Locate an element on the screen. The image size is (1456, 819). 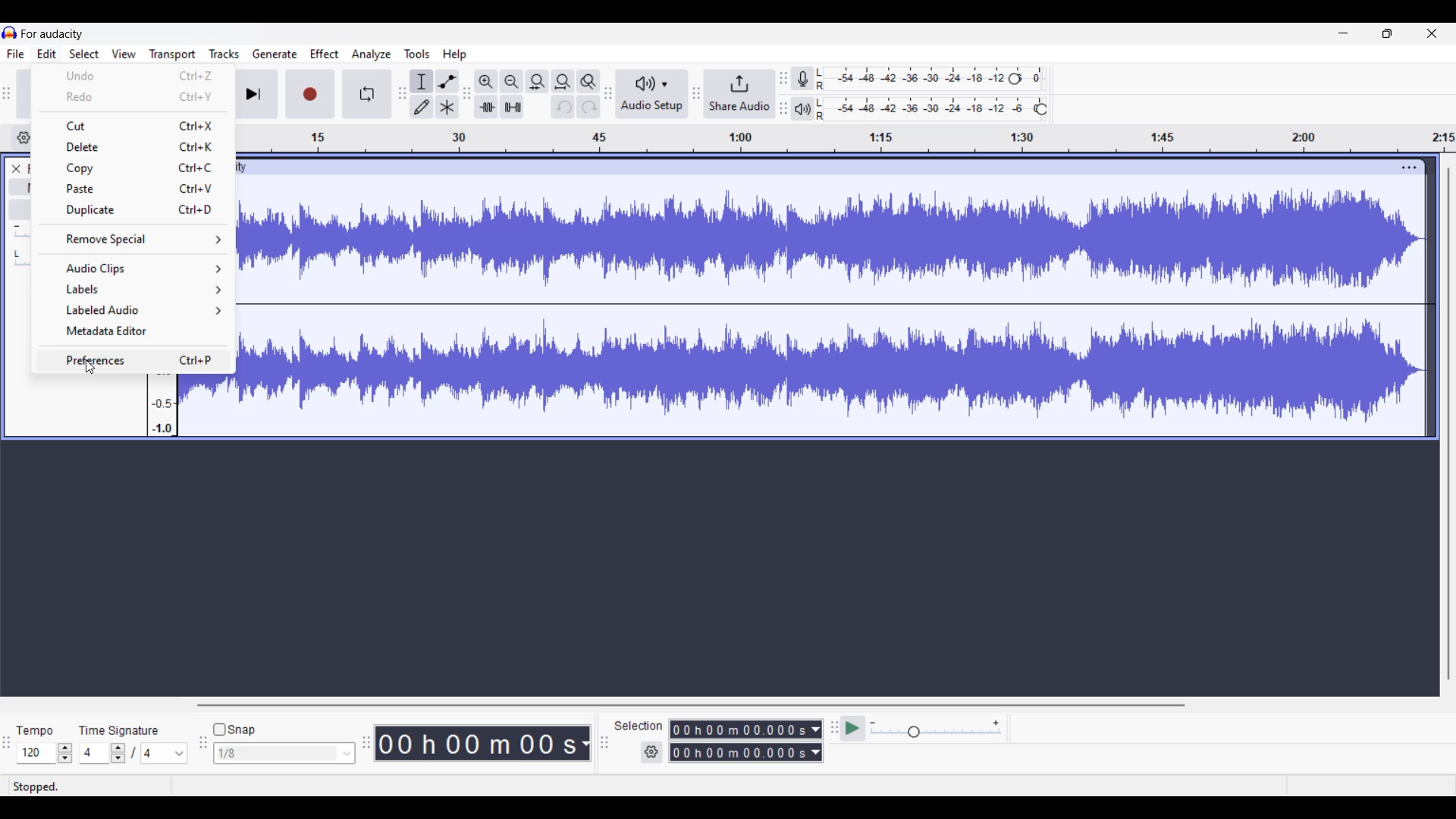
Enable looping is located at coordinates (366, 94).